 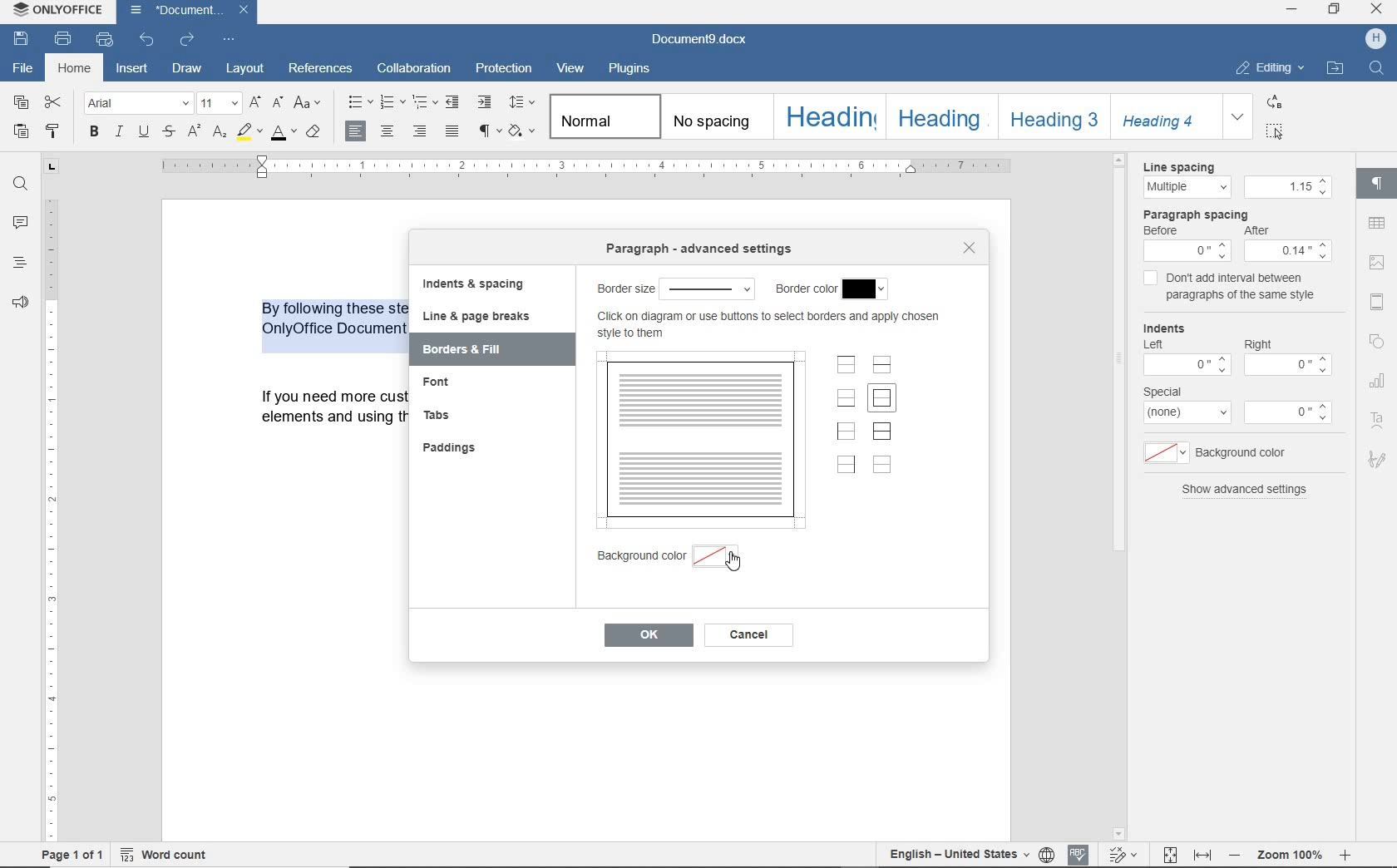 I want to click on set outer border and inner lines, so click(x=881, y=431).